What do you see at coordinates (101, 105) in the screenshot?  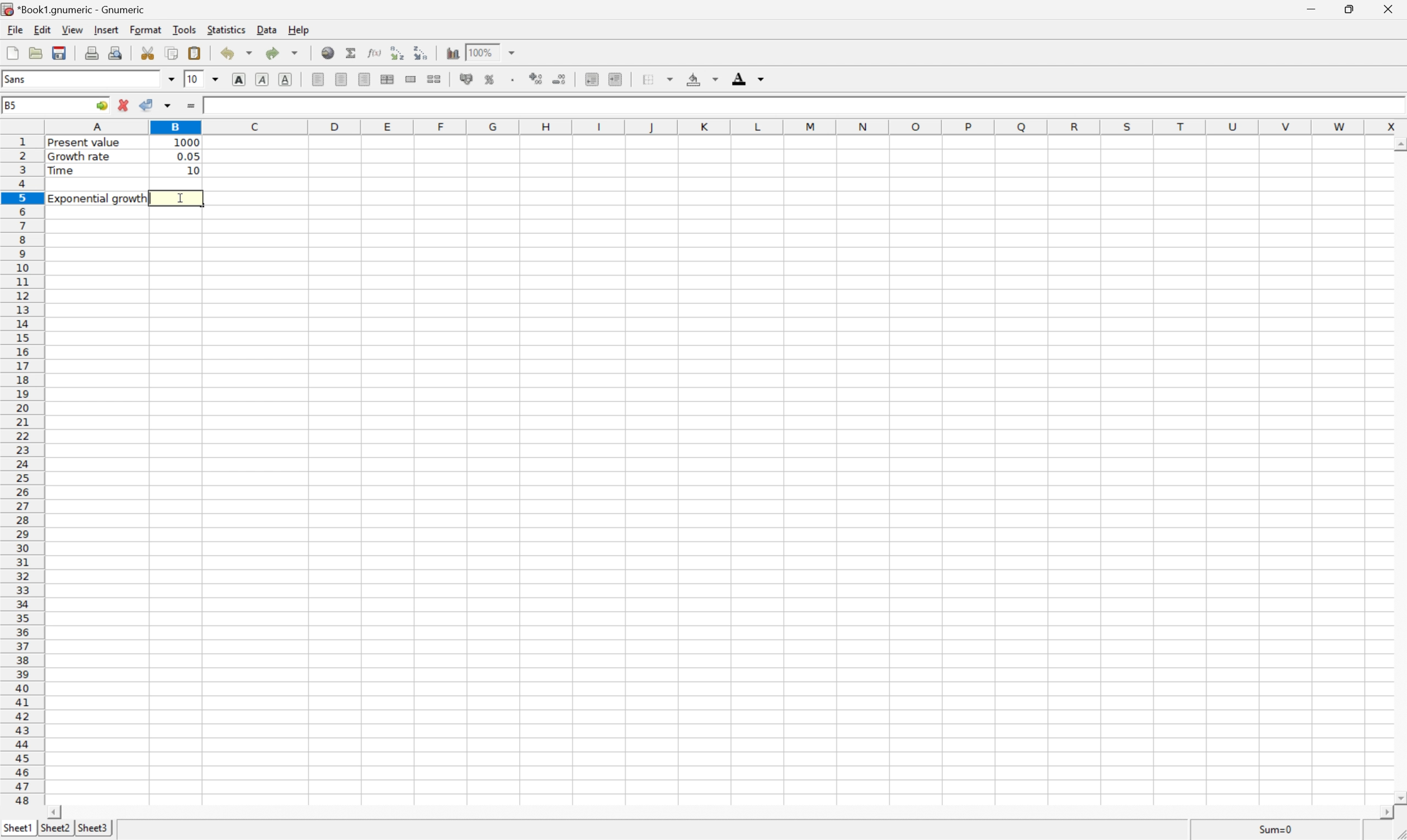 I see `Go to ...` at bounding box center [101, 105].